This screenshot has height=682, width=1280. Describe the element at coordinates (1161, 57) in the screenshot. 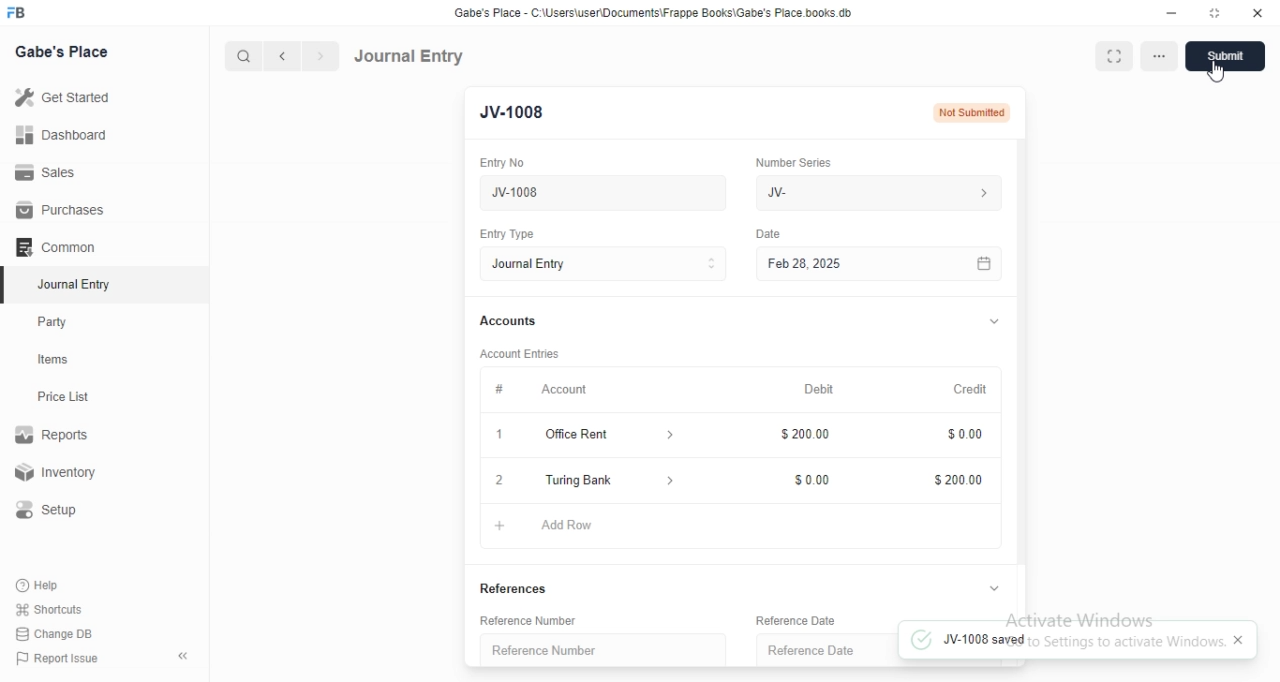

I see `menu` at that location.